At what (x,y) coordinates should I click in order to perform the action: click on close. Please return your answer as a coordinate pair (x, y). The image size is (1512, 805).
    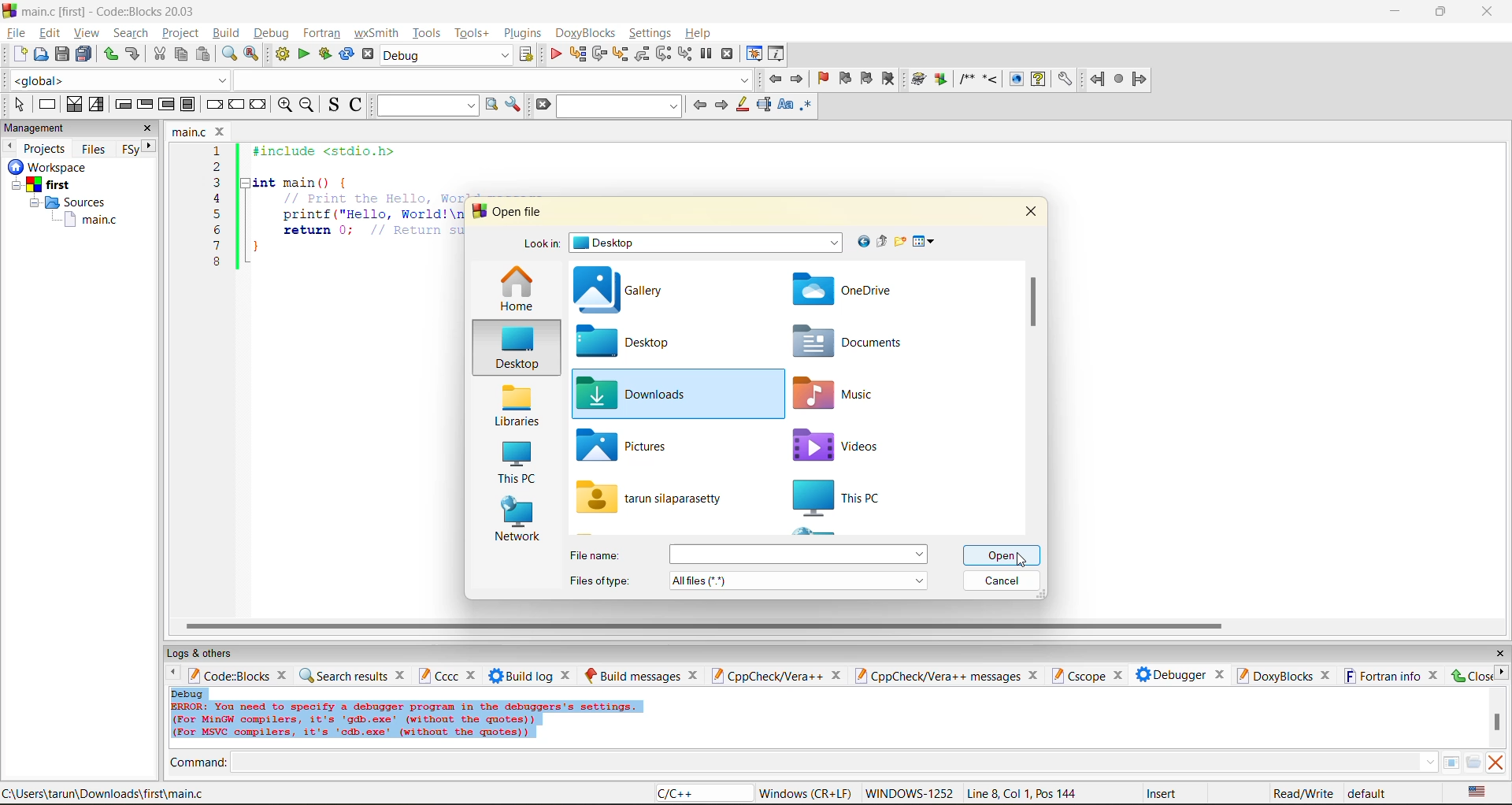
    Looking at the image, I should click on (1326, 676).